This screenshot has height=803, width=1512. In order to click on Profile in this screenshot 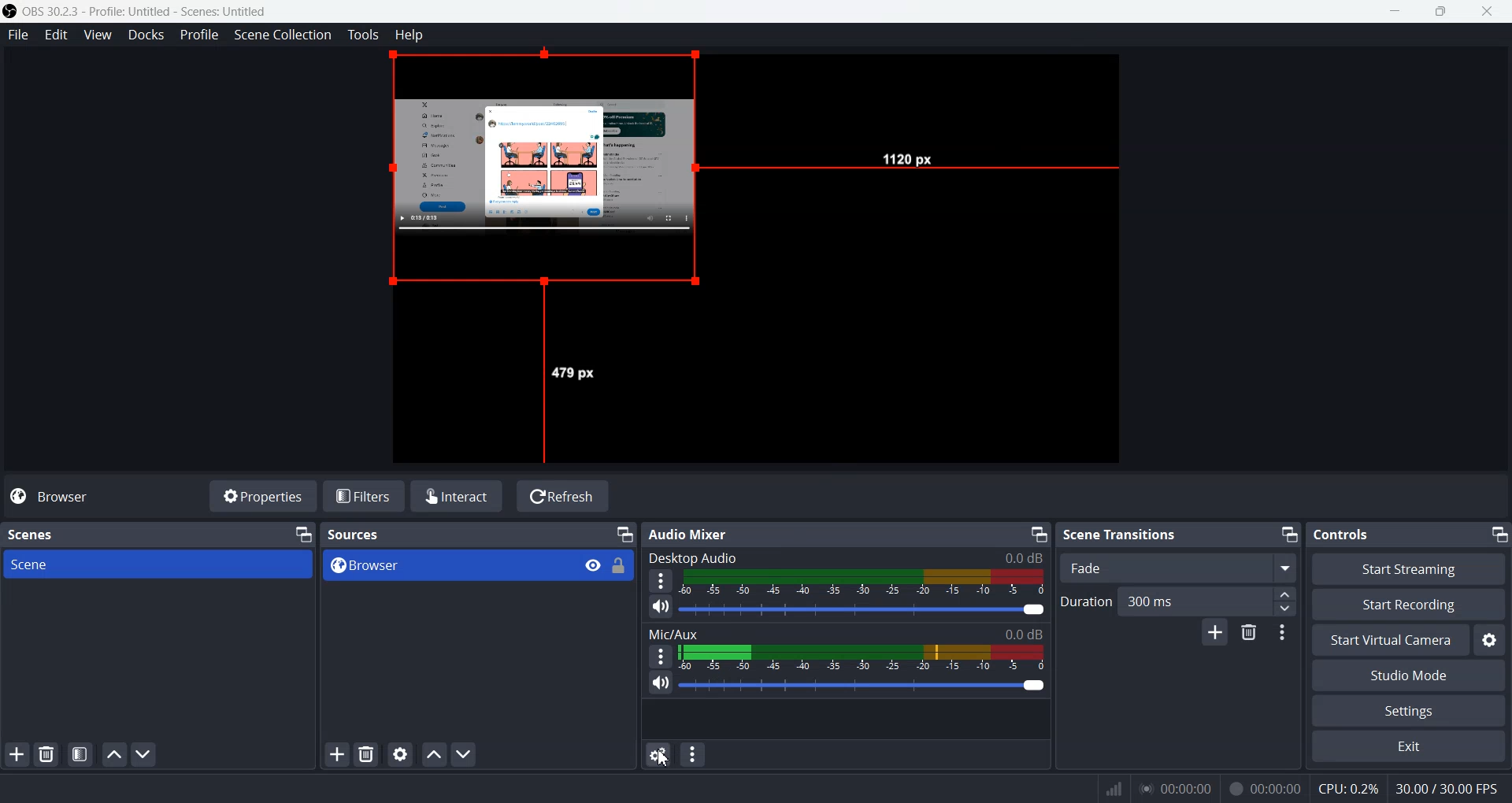, I will do `click(200, 35)`.